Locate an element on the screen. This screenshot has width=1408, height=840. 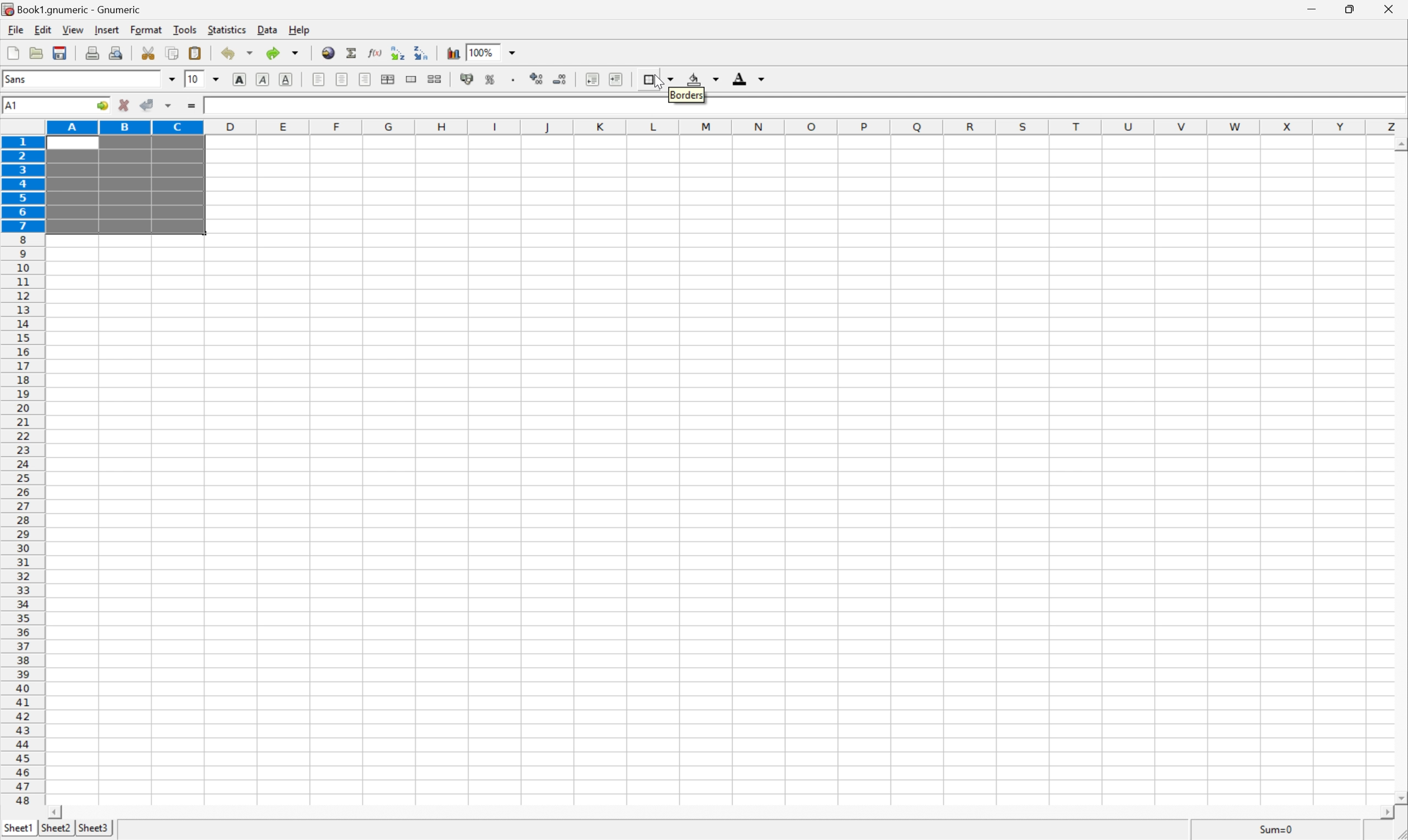
foreground color is located at coordinates (749, 78).